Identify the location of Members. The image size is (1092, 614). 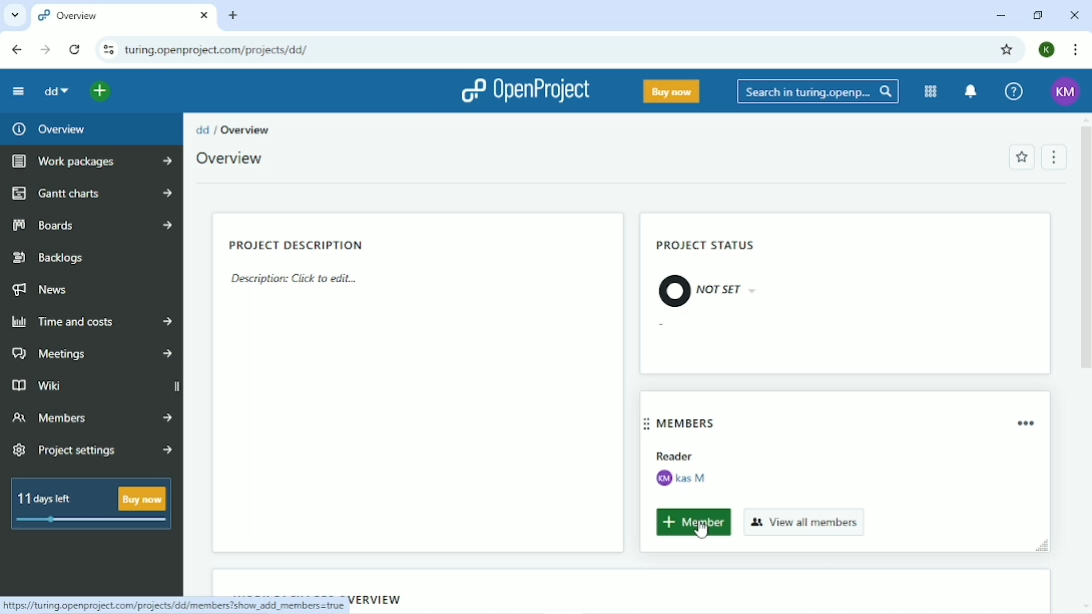
(90, 418).